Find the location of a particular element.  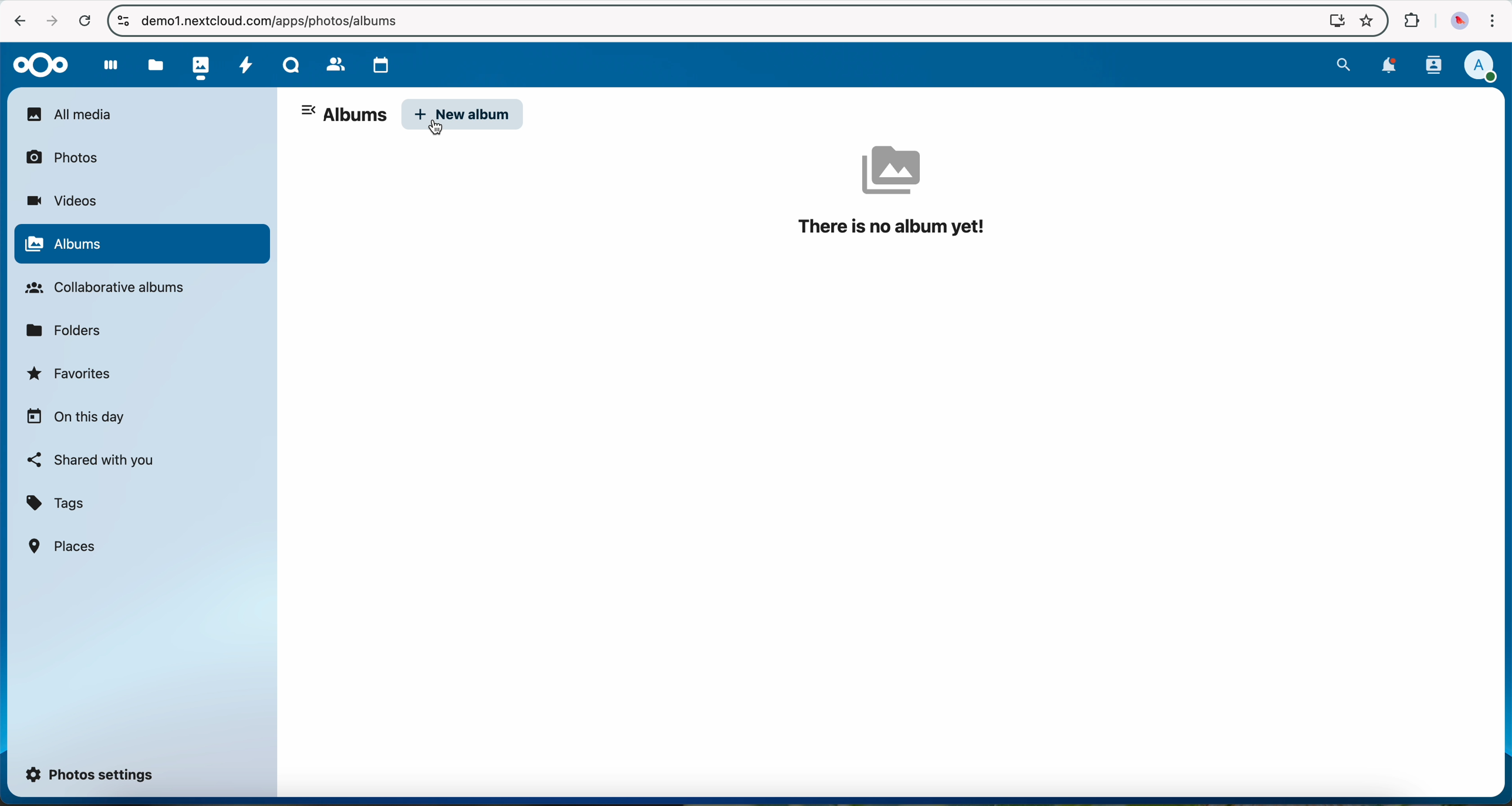

navigate foward is located at coordinates (49, 21).